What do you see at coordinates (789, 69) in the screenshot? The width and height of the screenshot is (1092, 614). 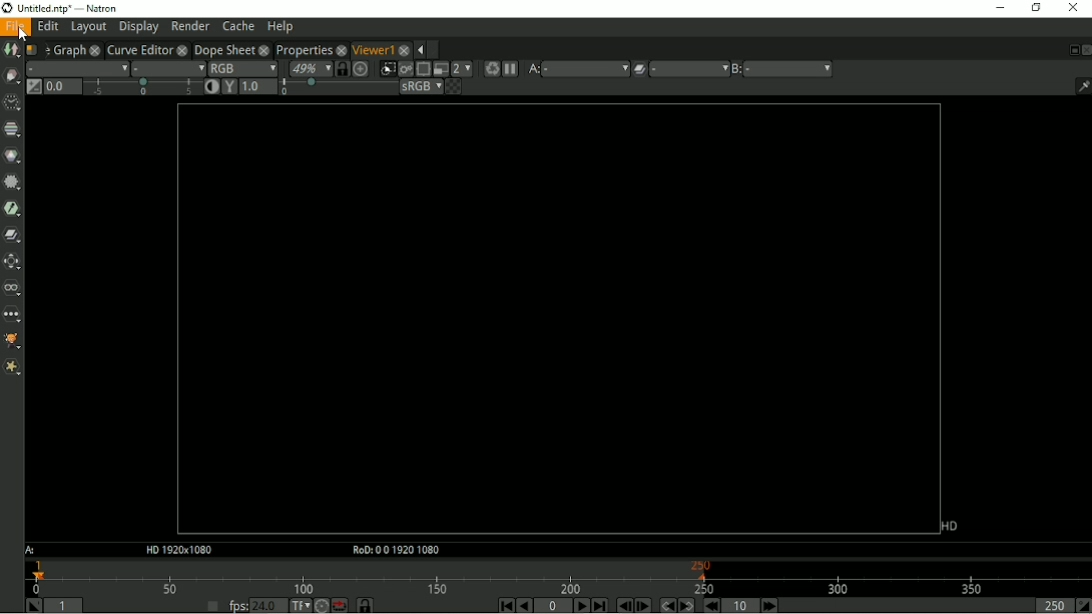 I see `b menu` at bounding box center [789, 69].